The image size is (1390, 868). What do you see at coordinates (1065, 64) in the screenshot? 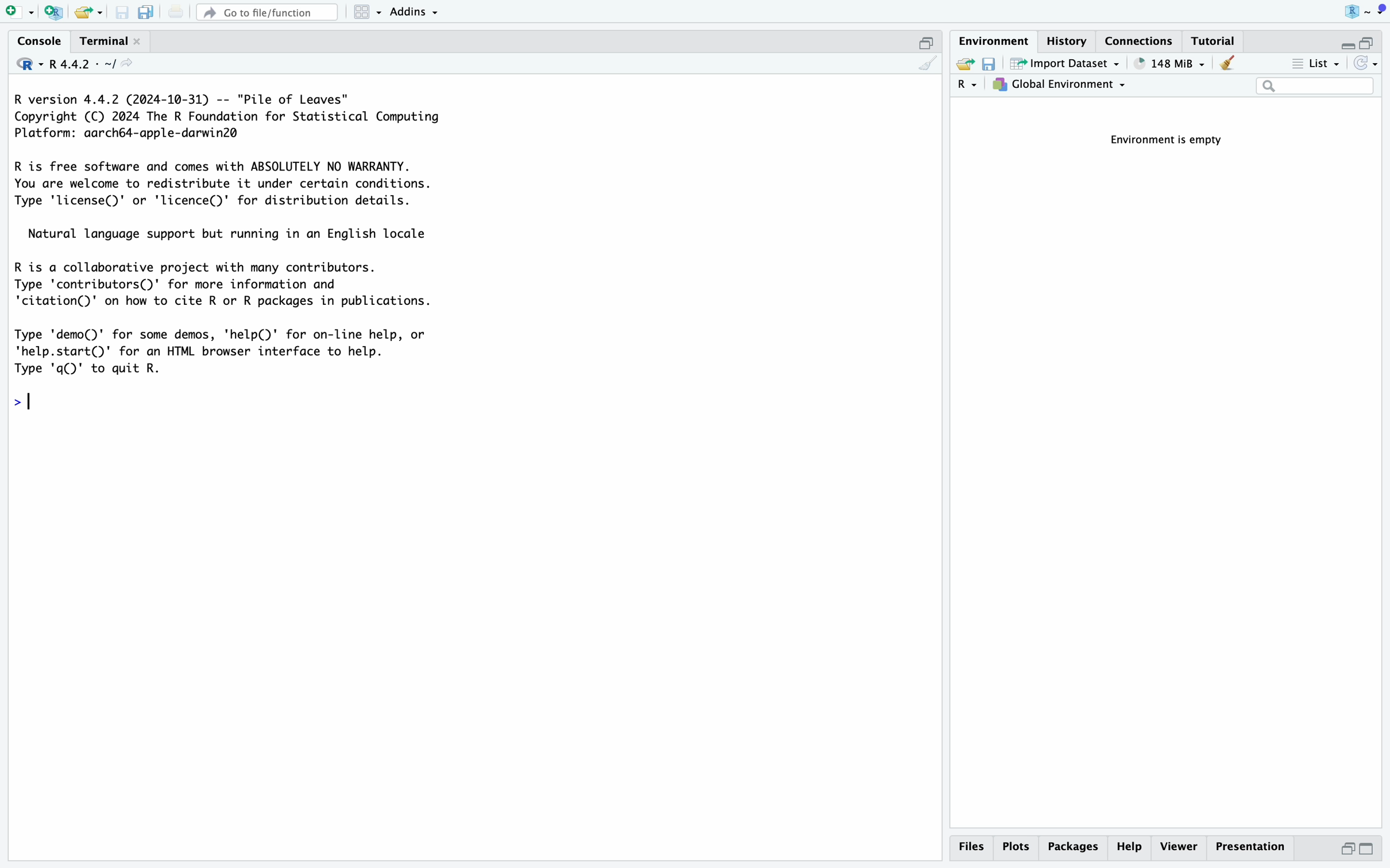
I see `import dataset` at bounding box center [1065, 64].